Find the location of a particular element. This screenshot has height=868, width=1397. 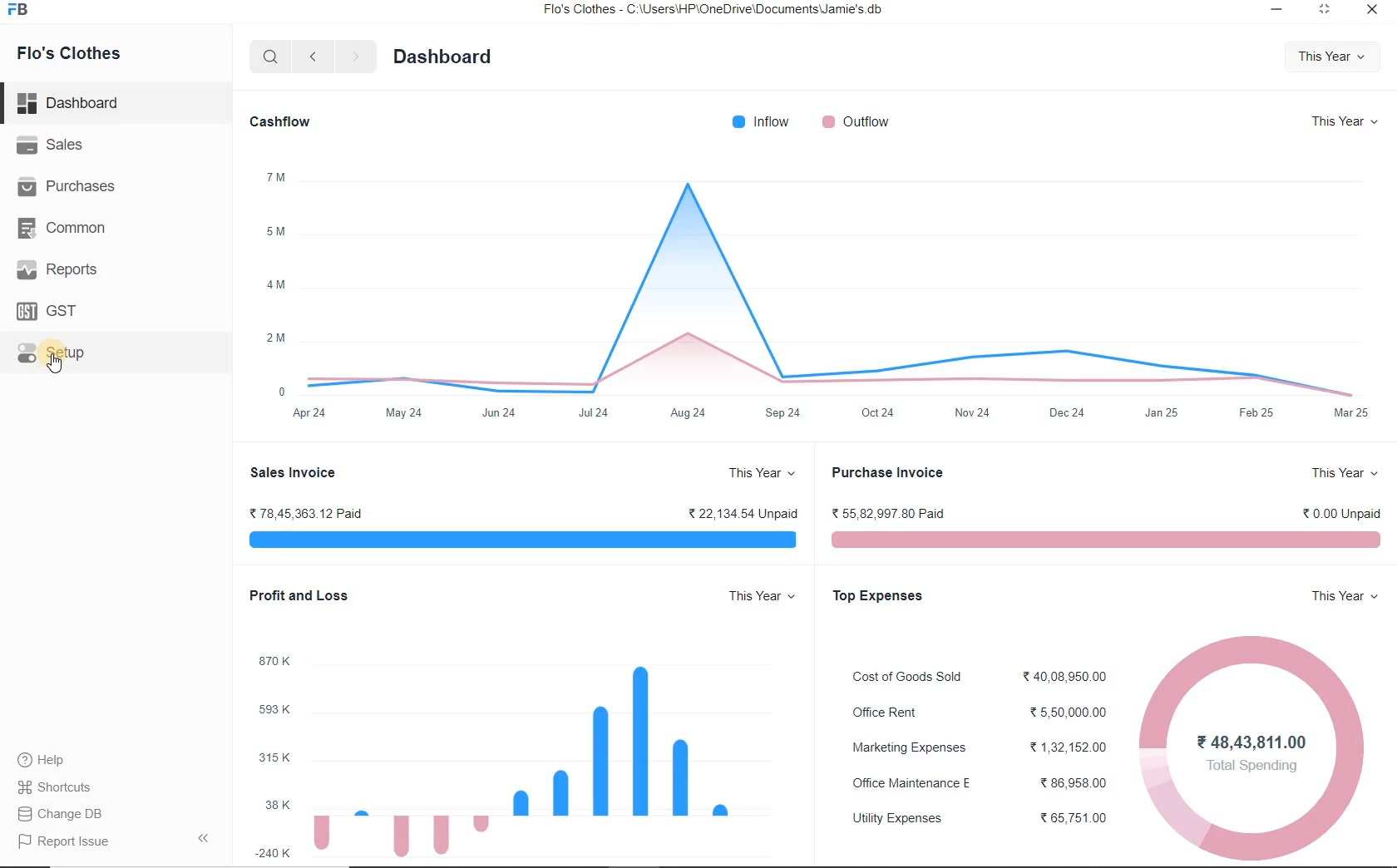

Office Rent is located at coordinates (881, 713).